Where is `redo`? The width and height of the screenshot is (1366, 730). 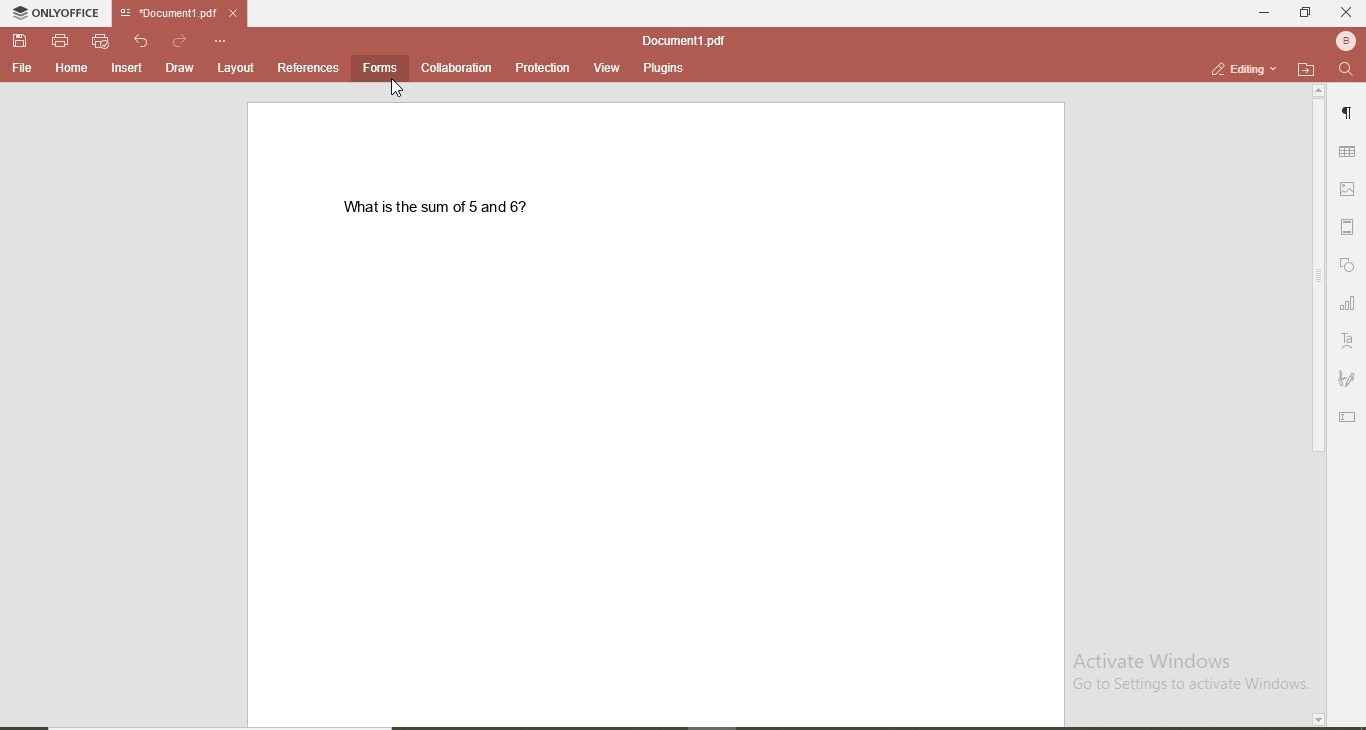 redo is located at coordinates (178, 37).